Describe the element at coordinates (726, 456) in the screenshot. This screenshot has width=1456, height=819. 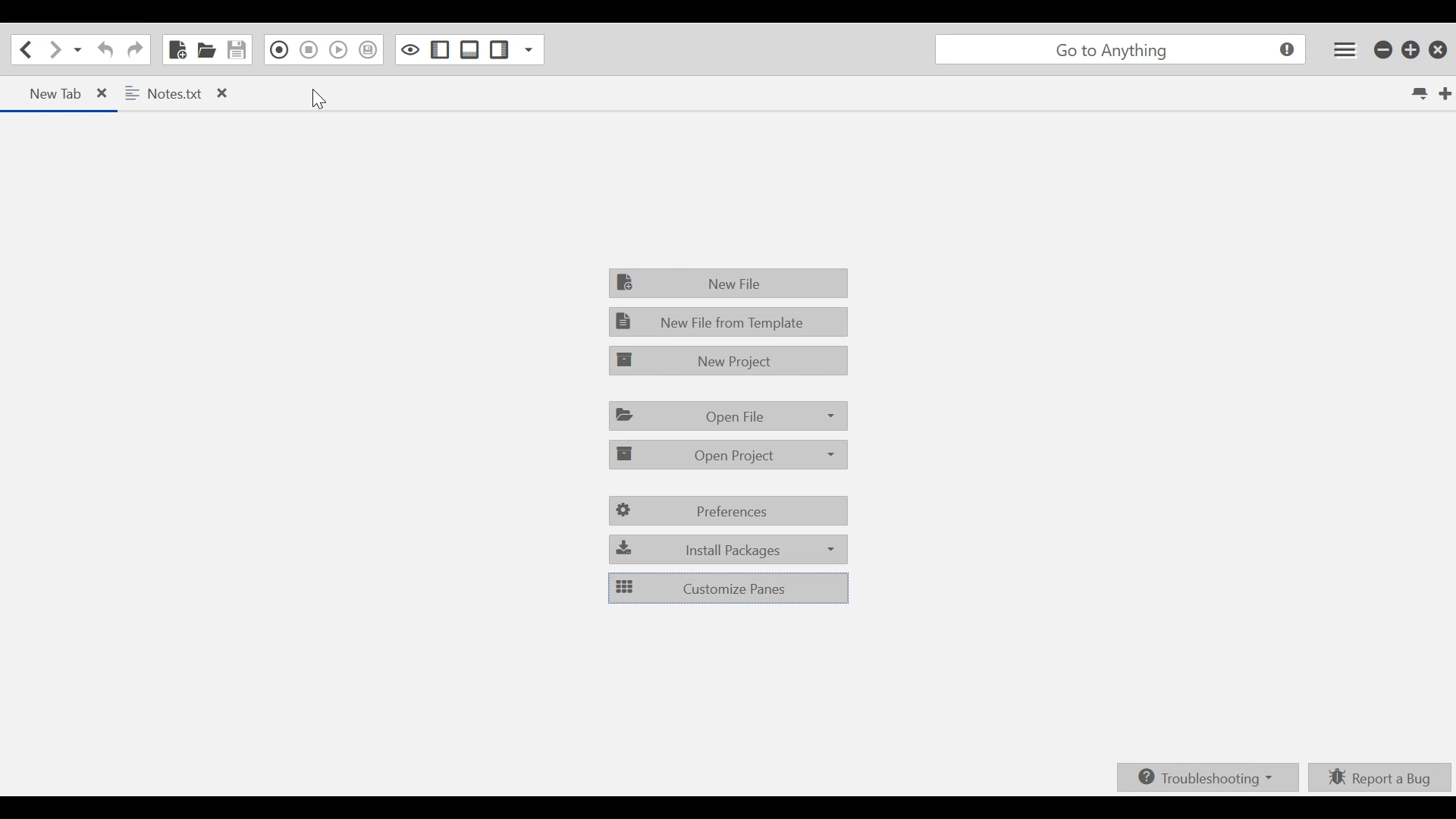
I see `Open Project` at that location.